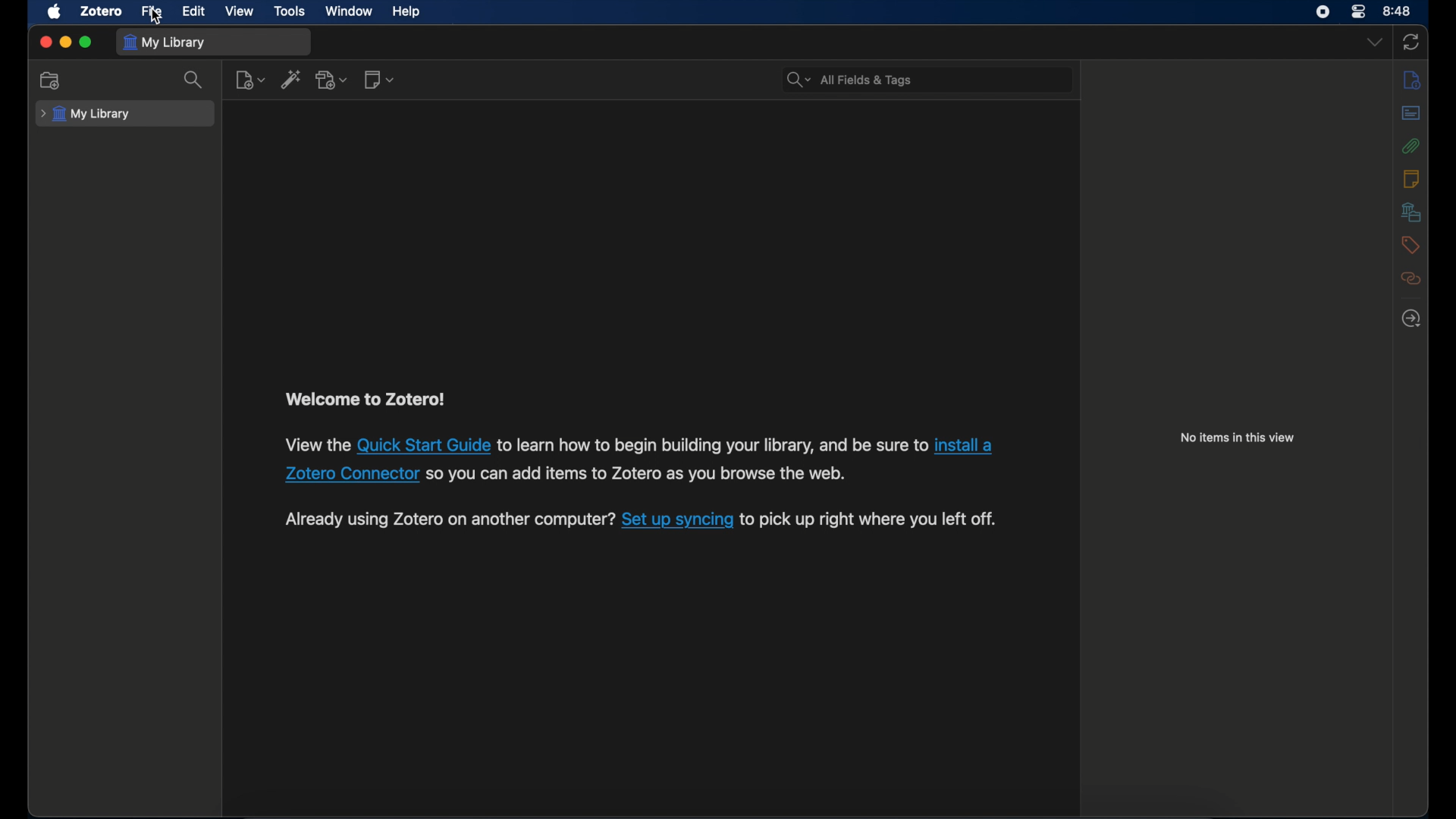  Describe the element at coordinates (1375, 43) in the screenshot. I see `dropdown` at that location.